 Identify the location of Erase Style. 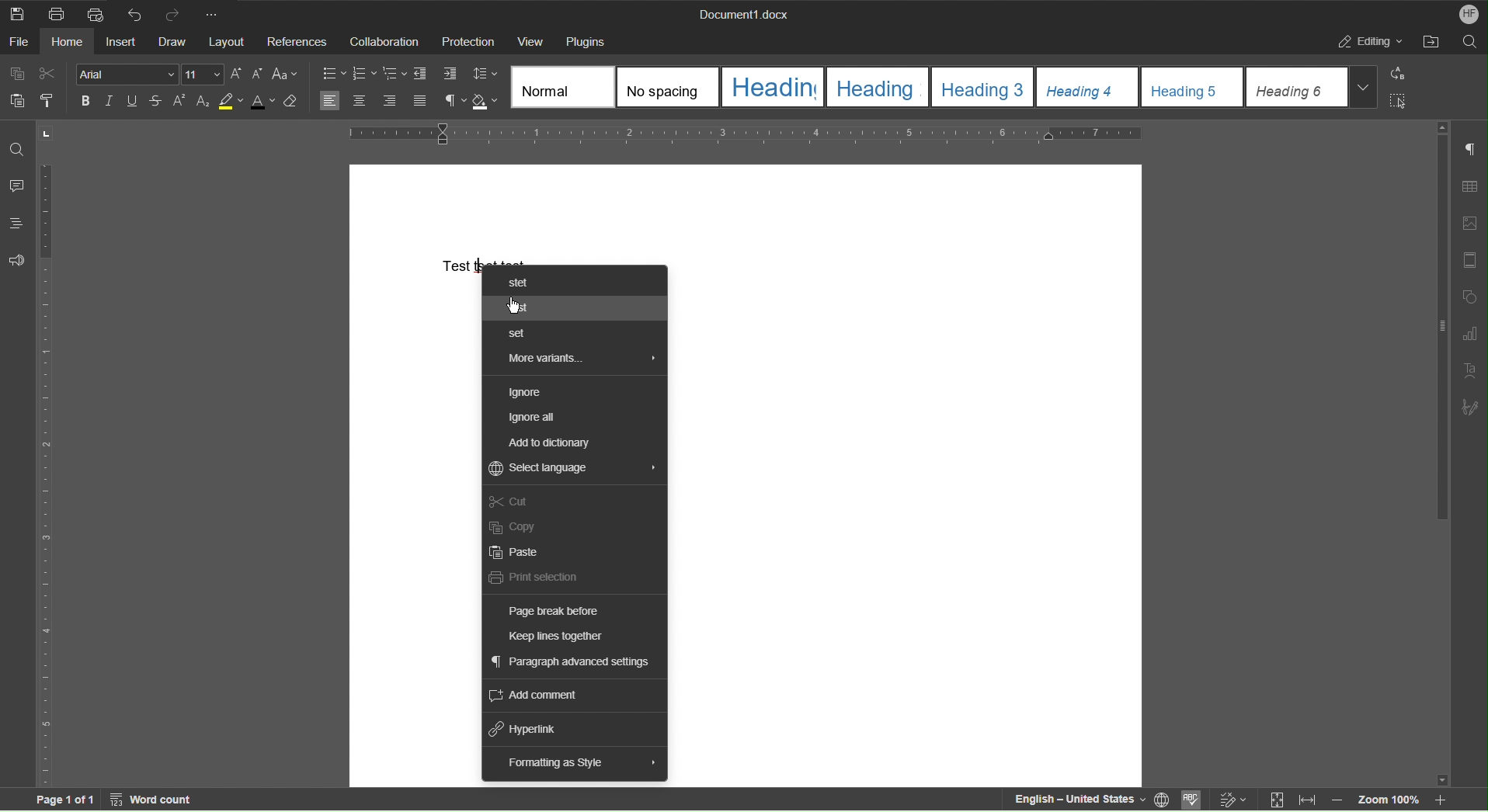
(291, 103).